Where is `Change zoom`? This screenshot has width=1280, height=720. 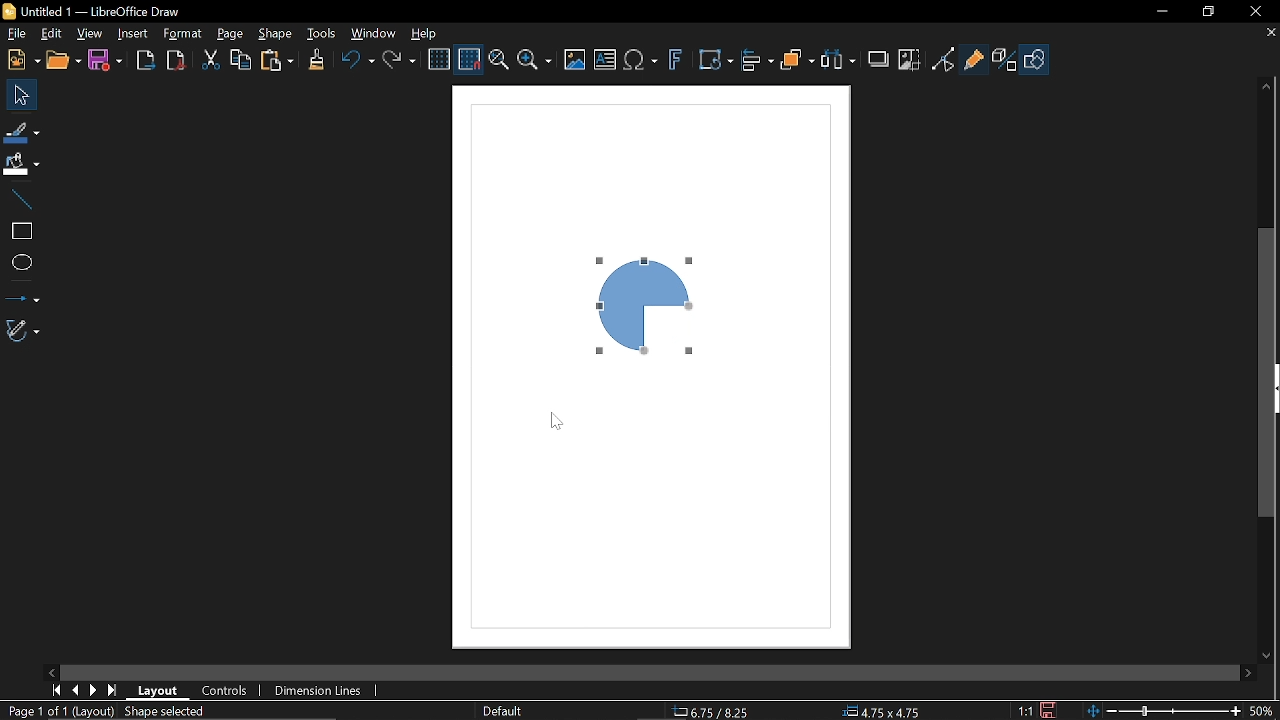 Change zoom is located at coordinates (1161, 710).